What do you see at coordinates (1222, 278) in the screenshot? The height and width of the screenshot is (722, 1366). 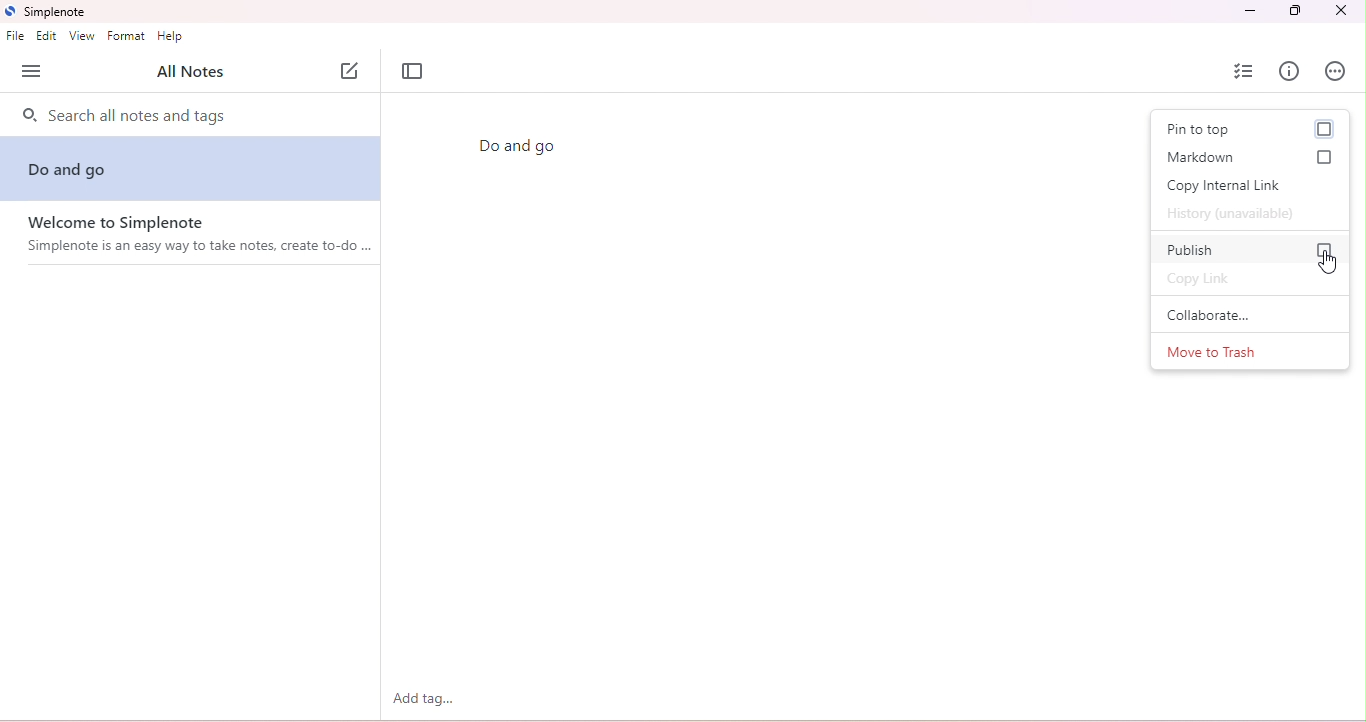 I see `copy link` at bounding box center [1222, 278].